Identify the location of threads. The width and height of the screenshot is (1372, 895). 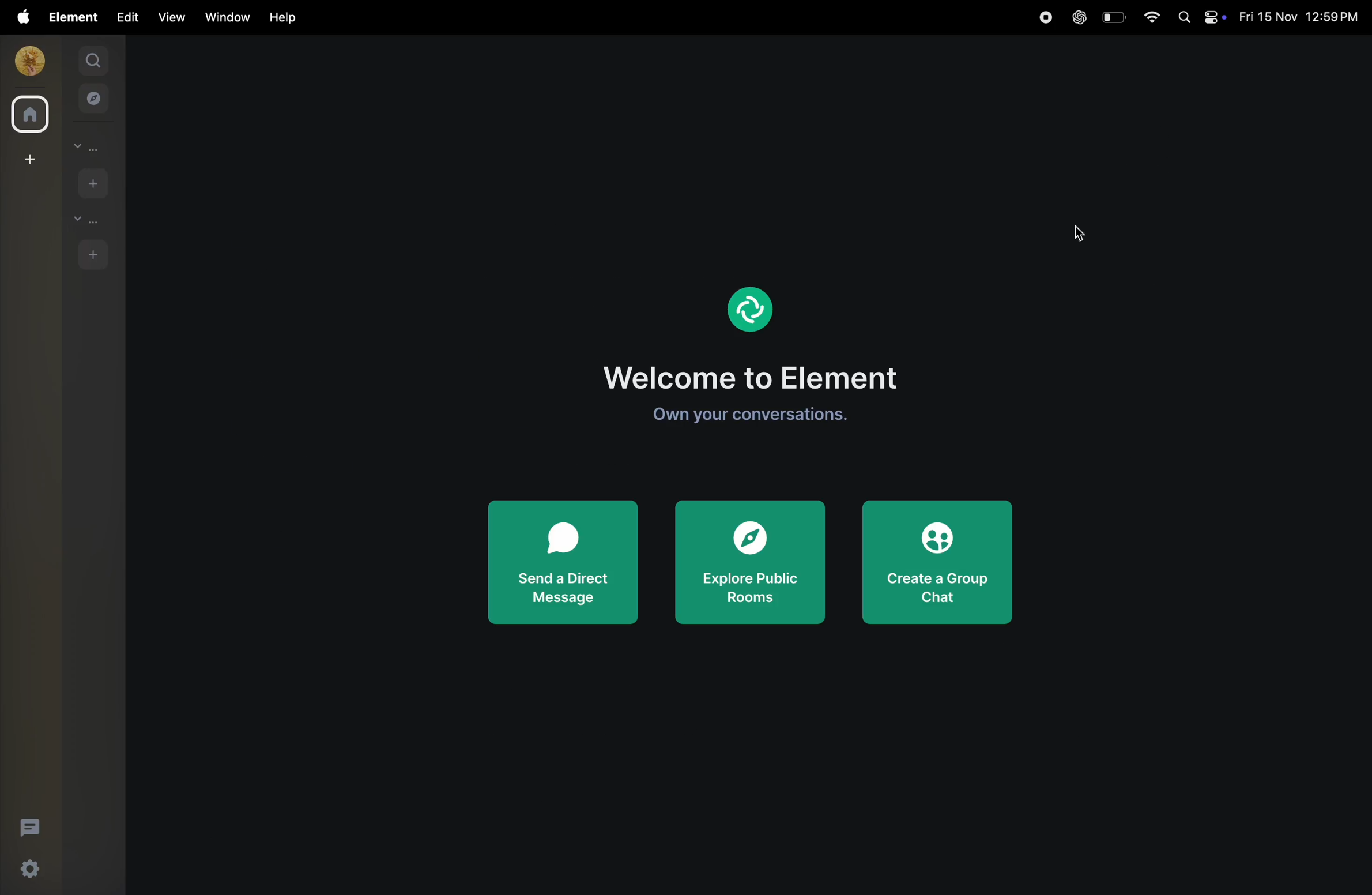
(31, 826).